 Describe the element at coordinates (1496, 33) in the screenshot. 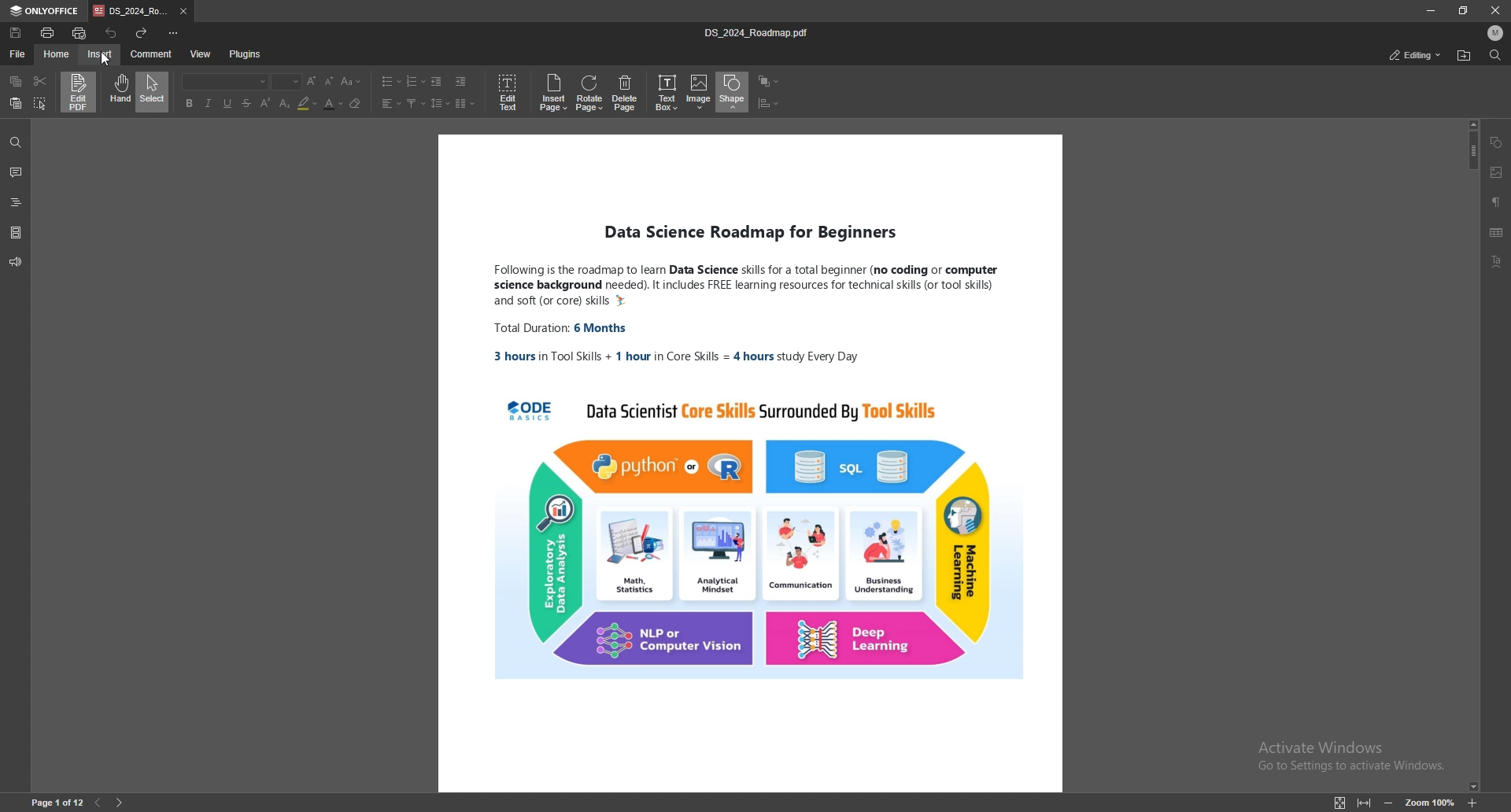

I see `profile` at that location.